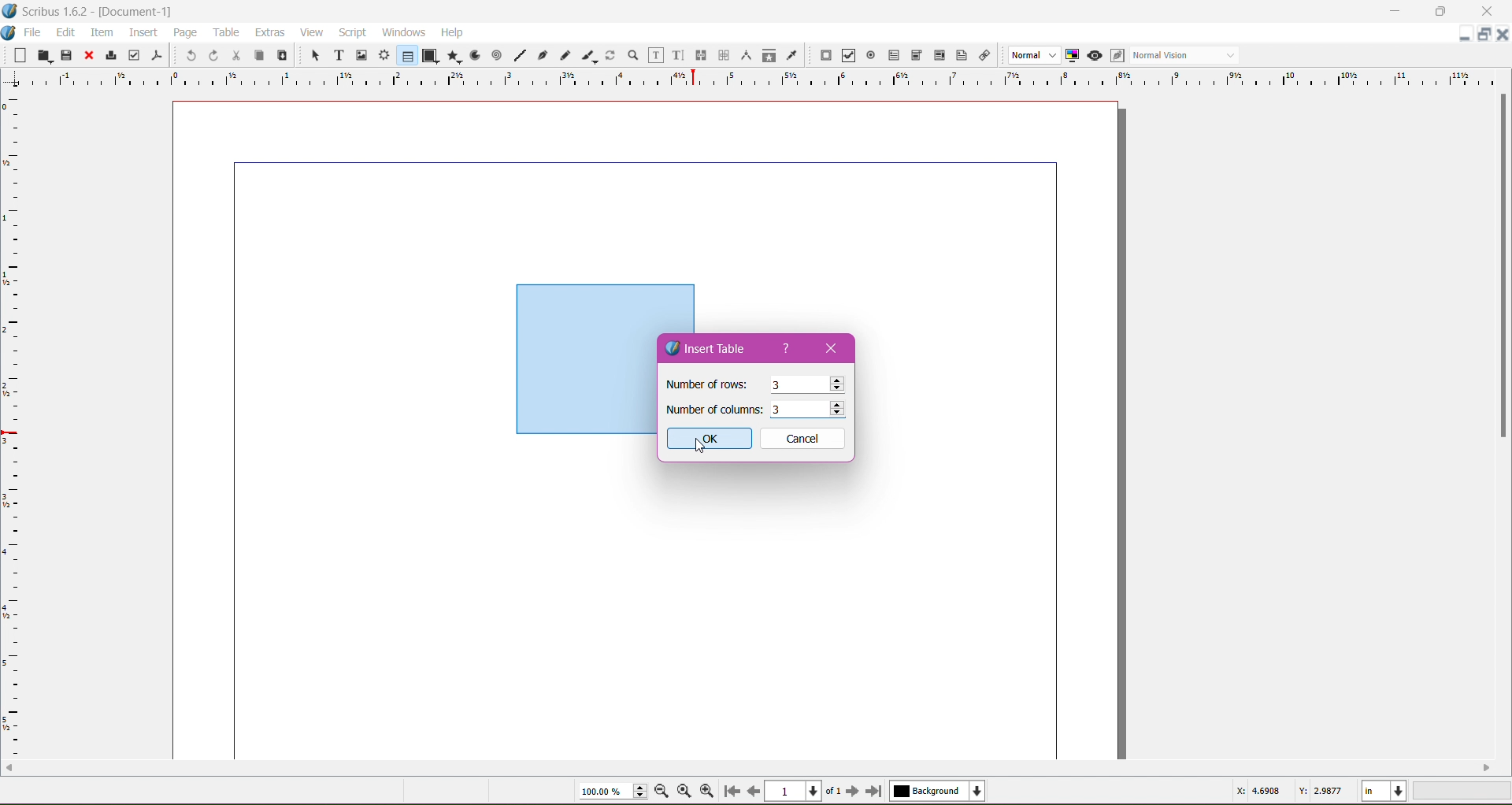 Image resolution: width=1512 pixels, height=805 pixels. I want to click on Checkbox, so click(847, 57).